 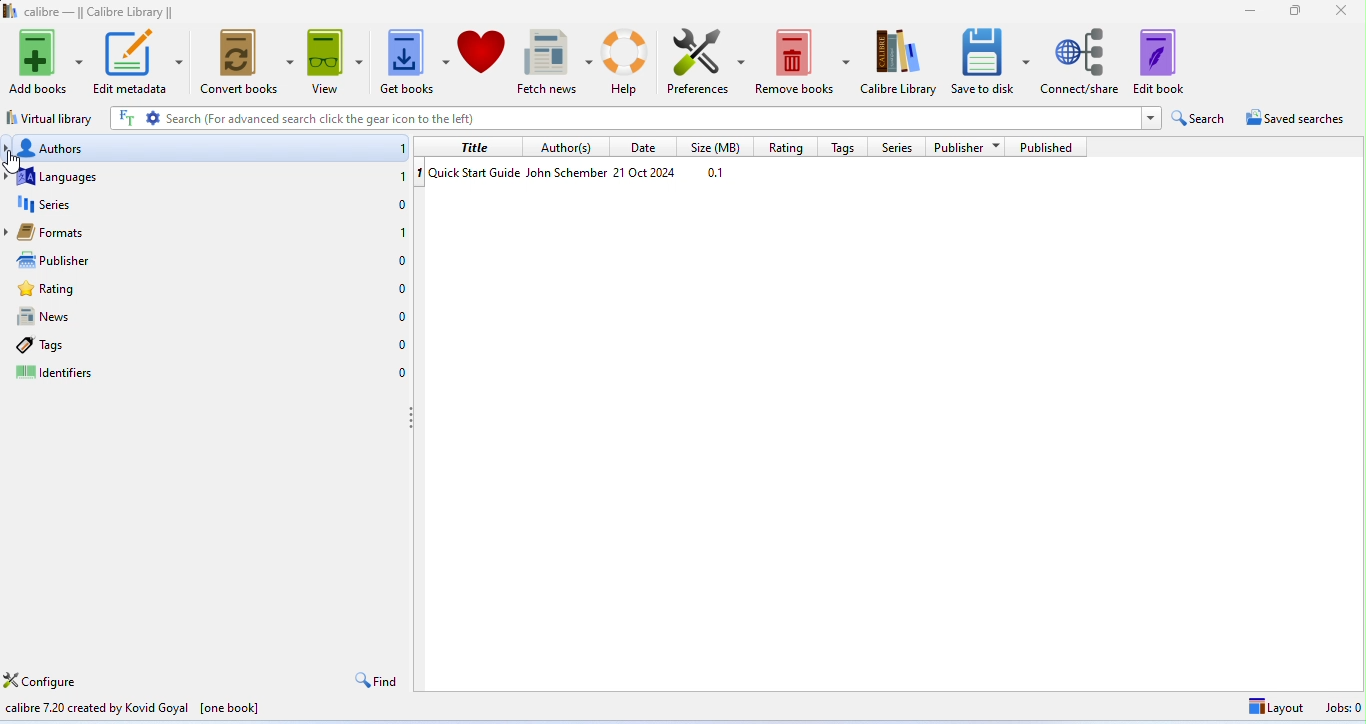 I want to click on date, so click(x=648, y=171).